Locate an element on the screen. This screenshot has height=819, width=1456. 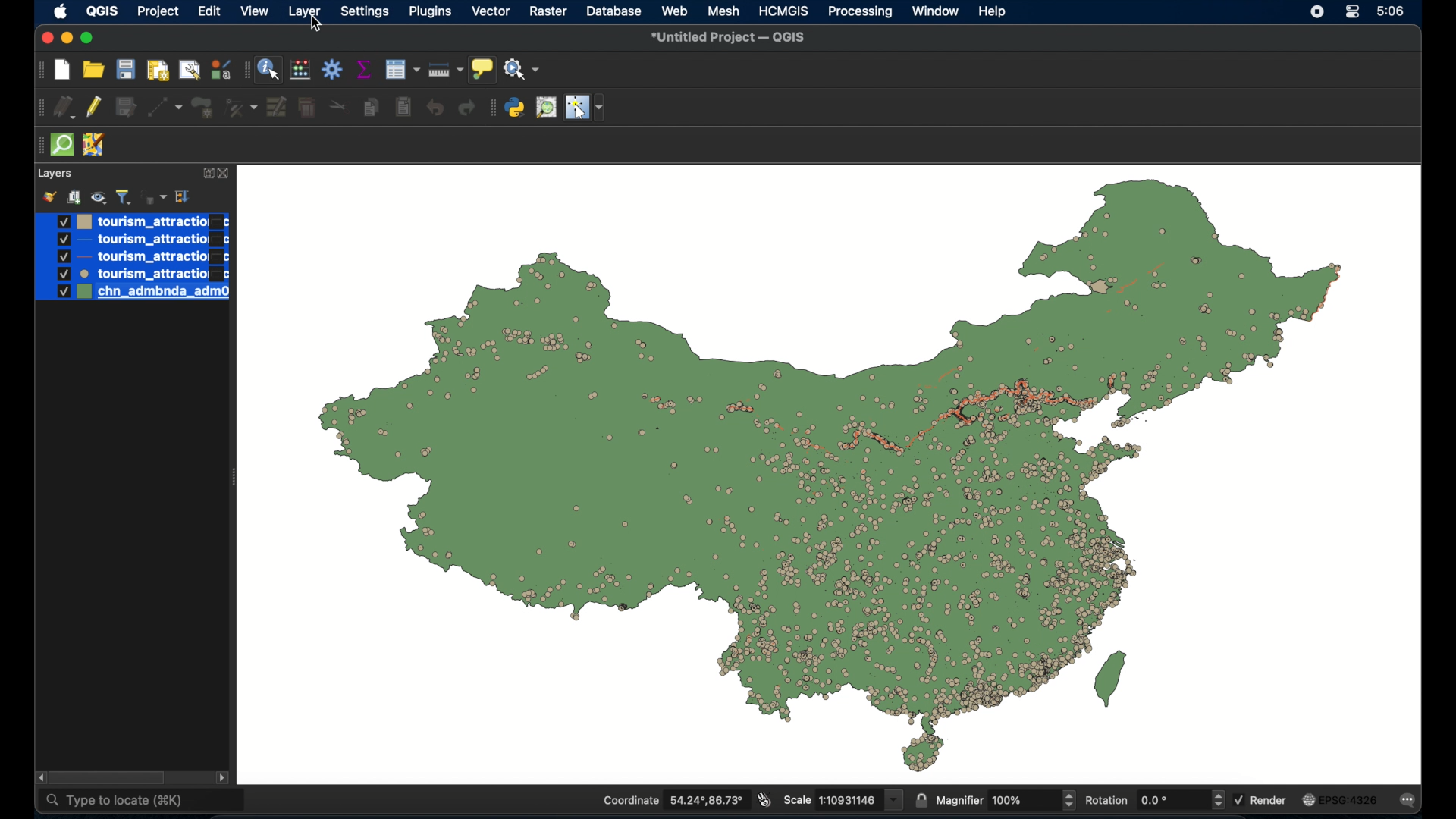
drag handle is located at coordinates (491, 107).